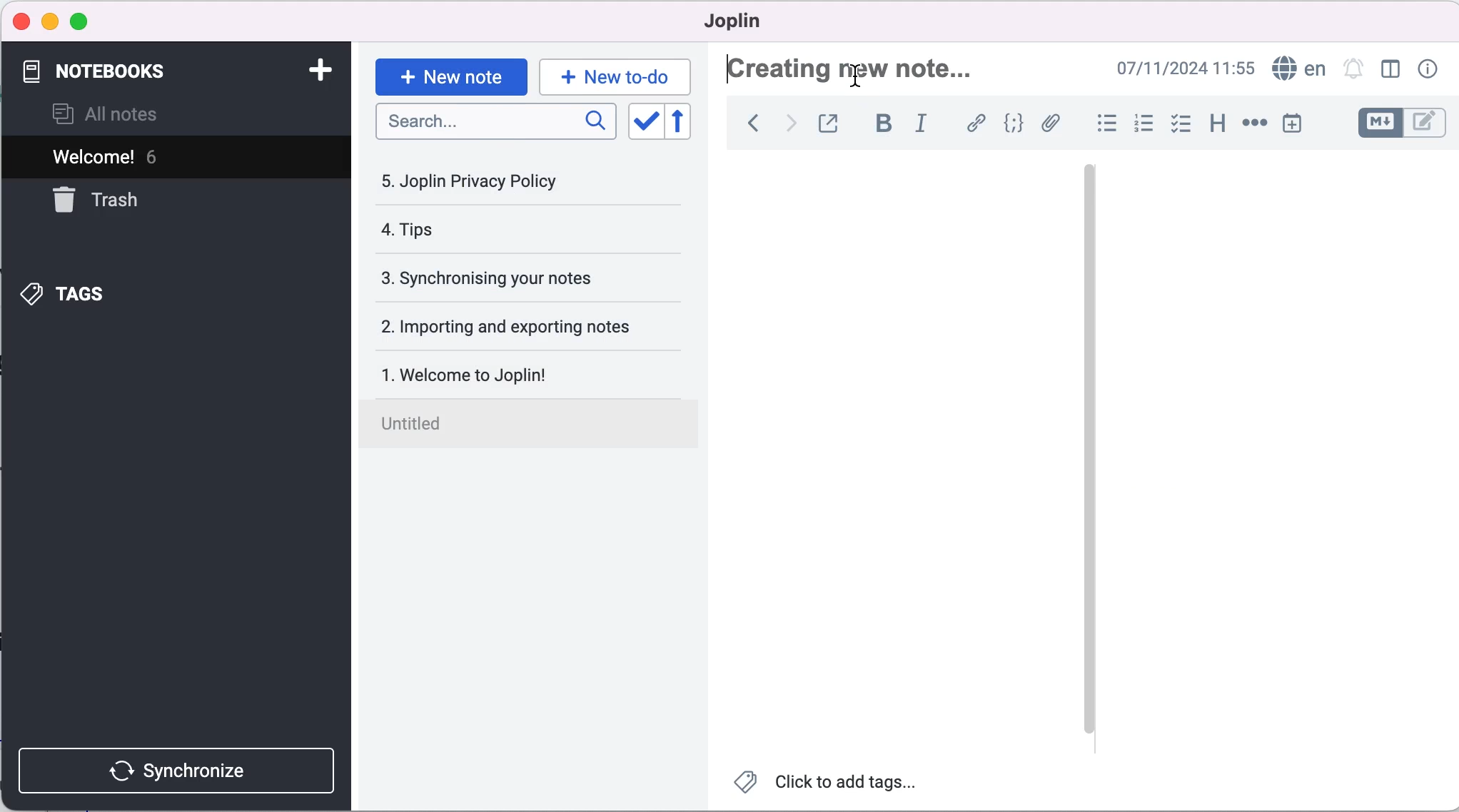  I want to click on synchronize, so click(180, 767).